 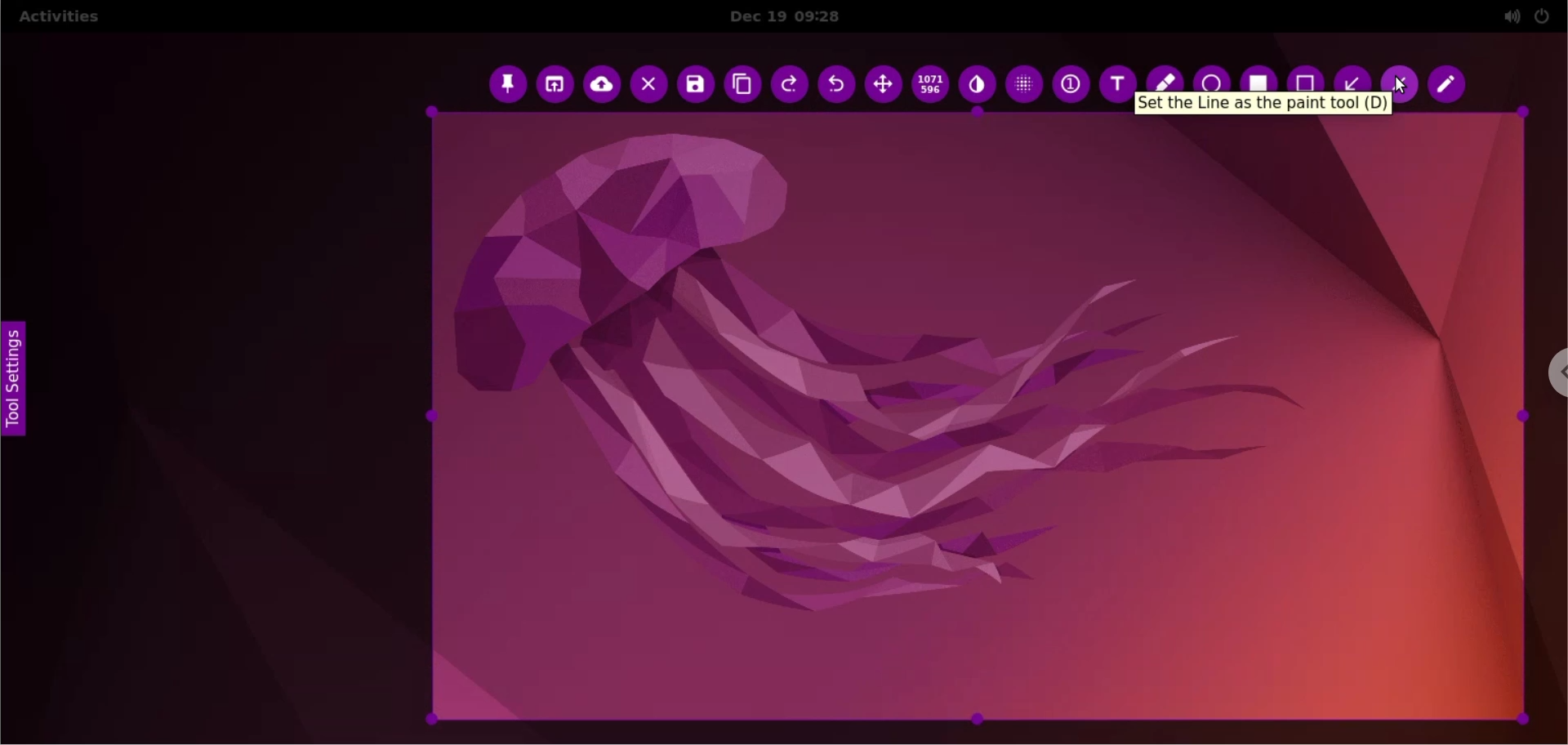 What do you see at coordinates (1404, 85) in the screenshot?
I see `cursor` at bounding box center [1404, 85].